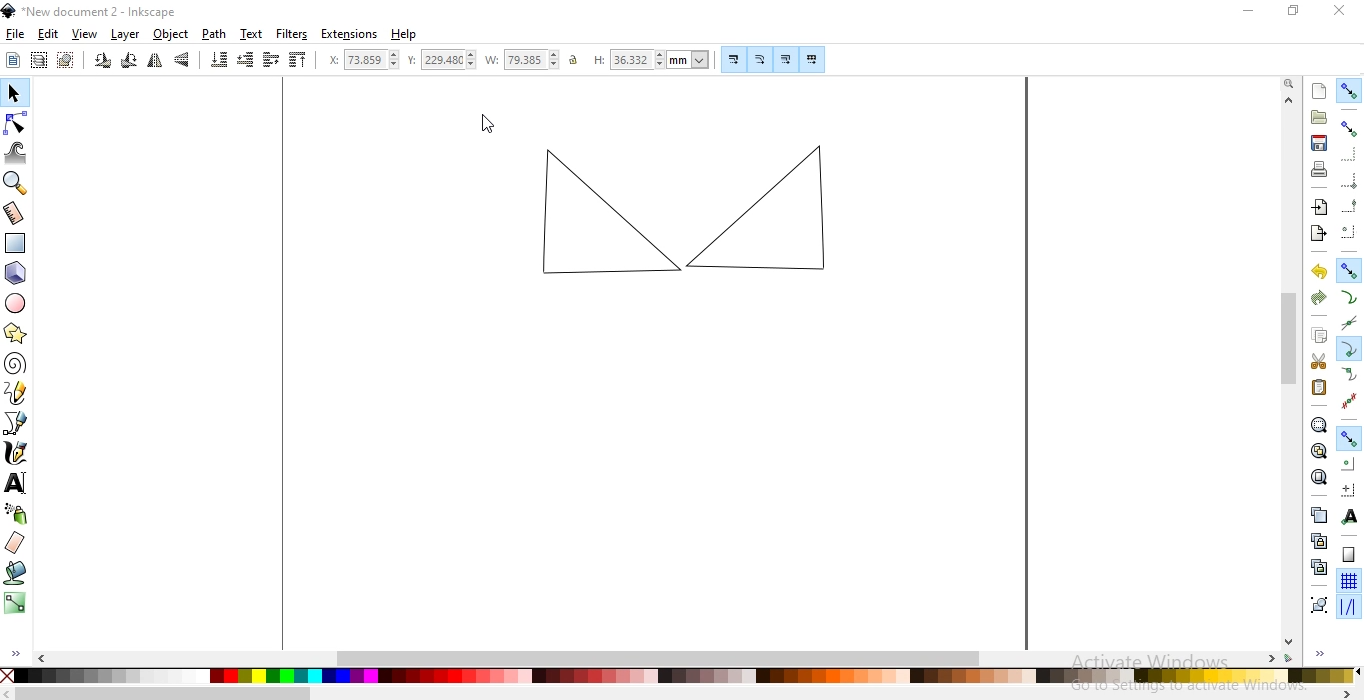 The image size is (1364, 700). Describe the element at coordinates (15, 604) in the screenshot. I see `create and edit gradients` at that location.